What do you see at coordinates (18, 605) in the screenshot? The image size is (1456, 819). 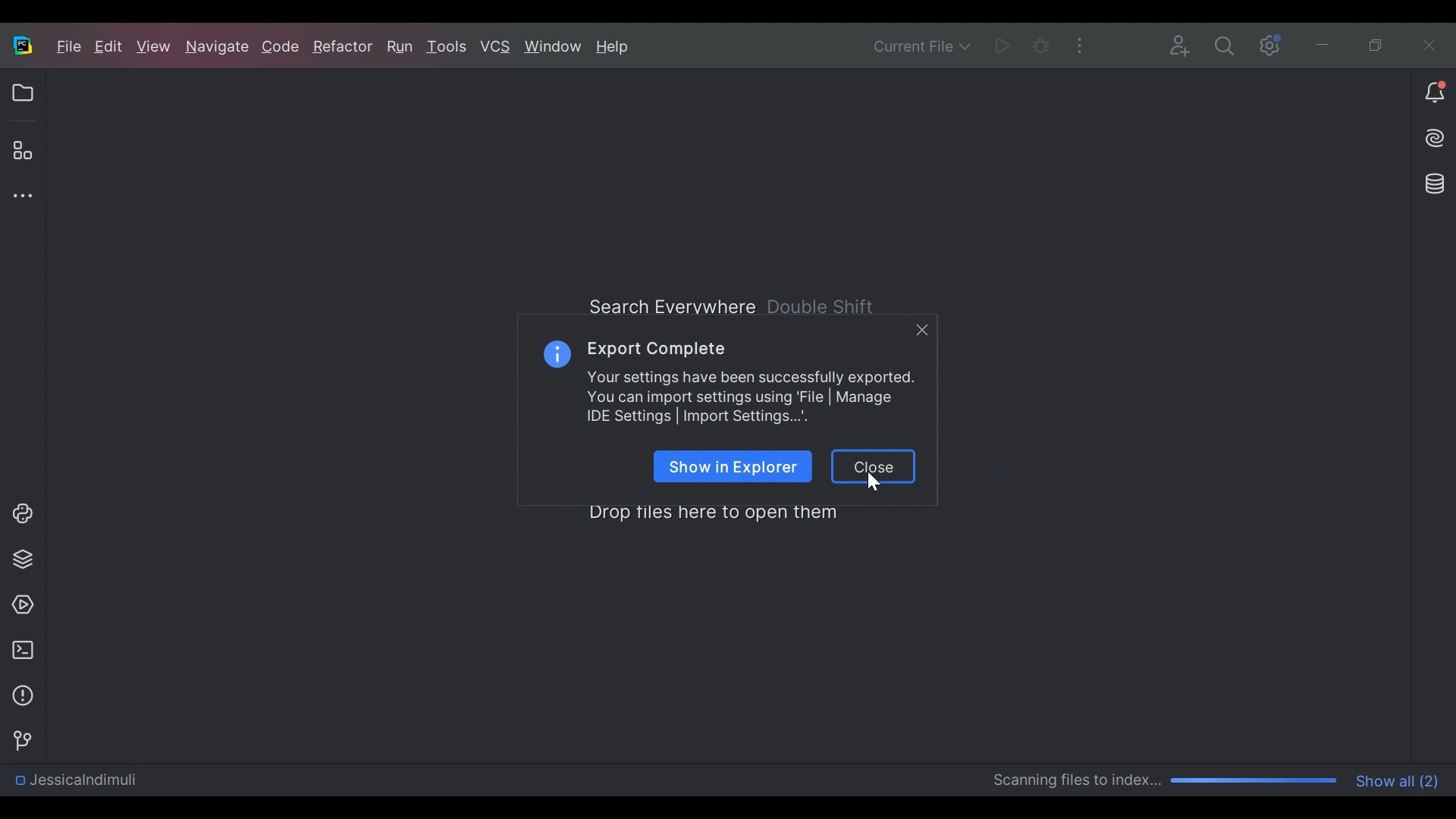 I see `Services` at bounding box center [18, 605].